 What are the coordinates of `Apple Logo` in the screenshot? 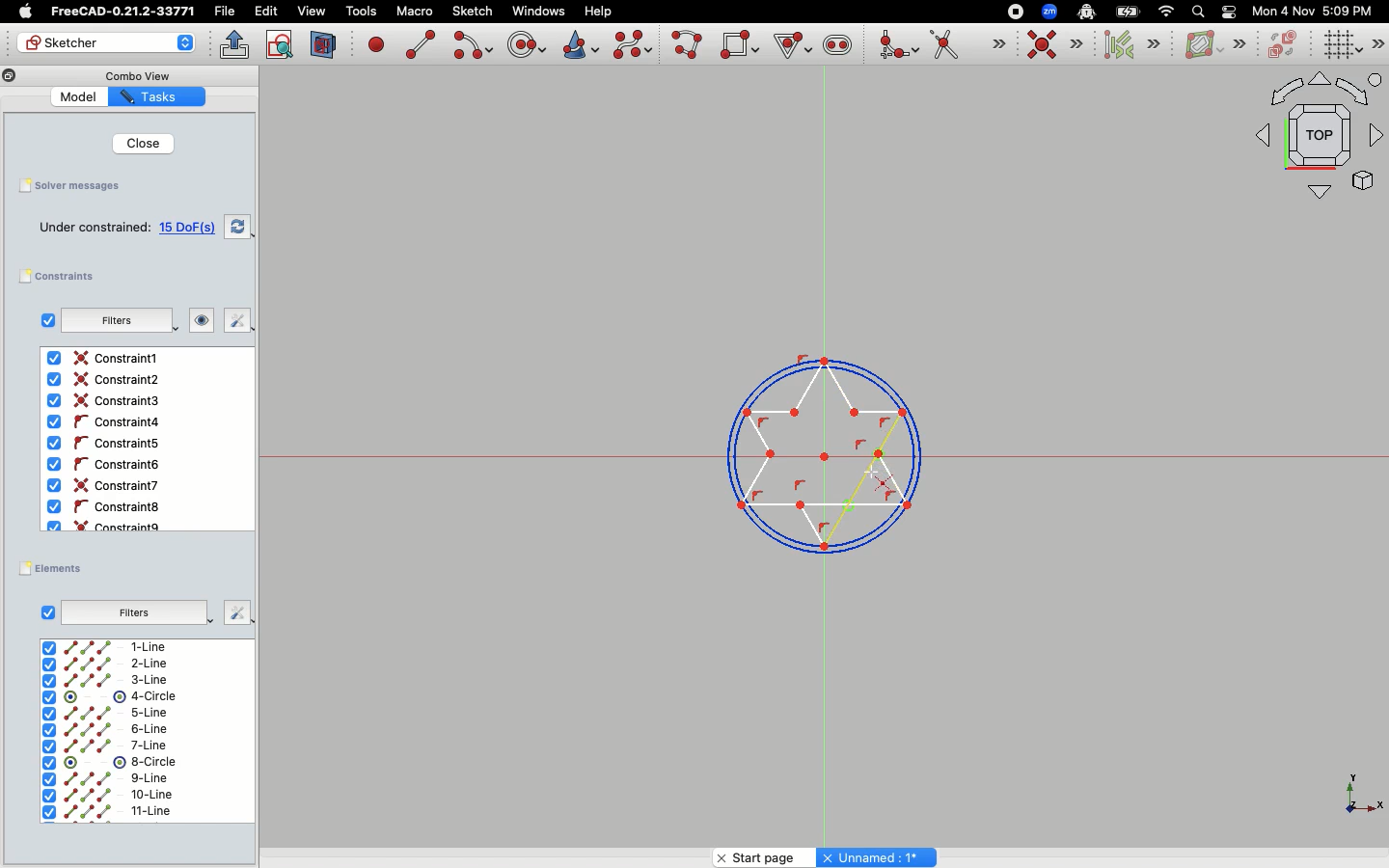 It's located at (23, 12).